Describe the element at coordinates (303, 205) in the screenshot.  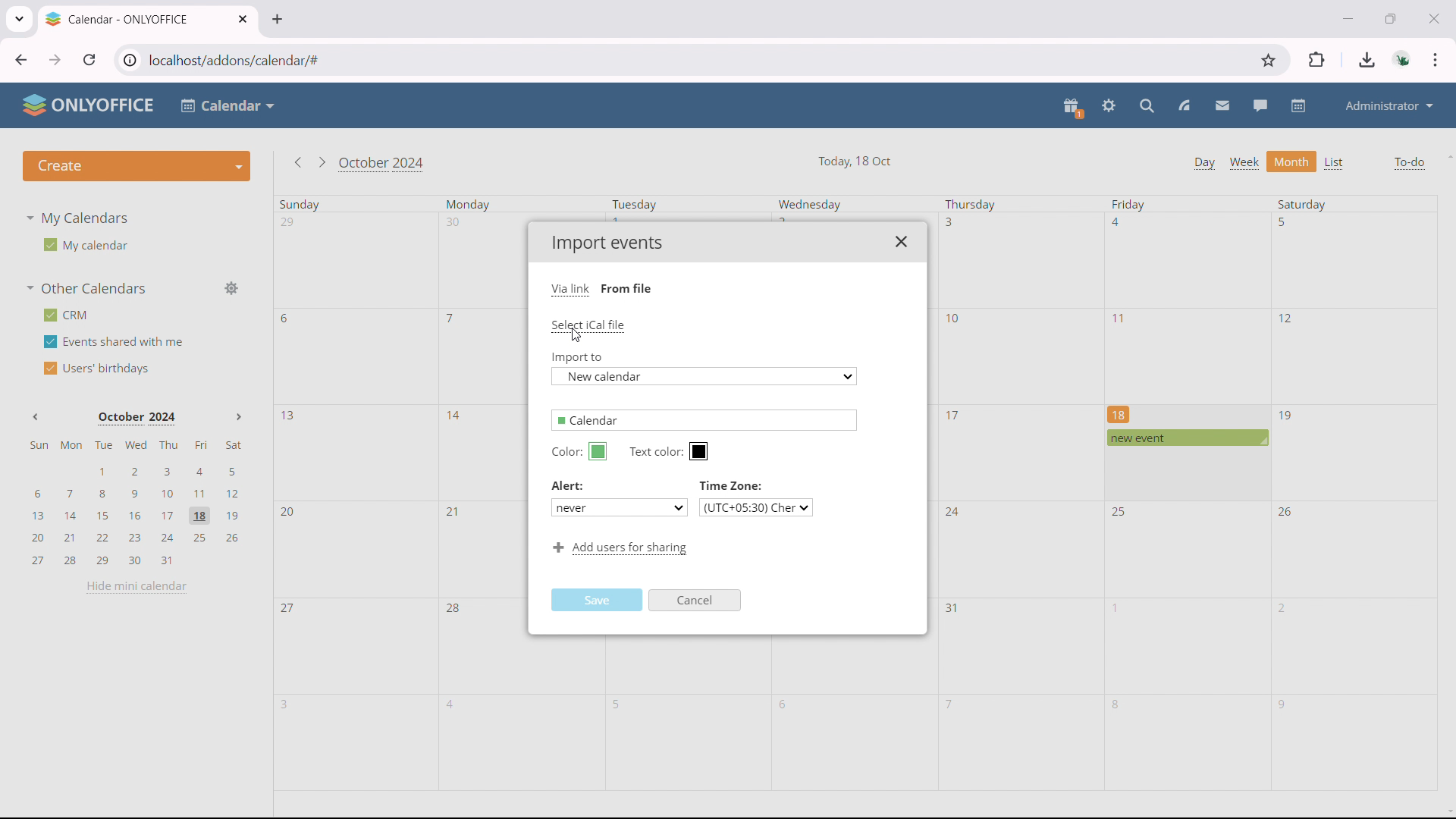
I see `Sunday` at that location.